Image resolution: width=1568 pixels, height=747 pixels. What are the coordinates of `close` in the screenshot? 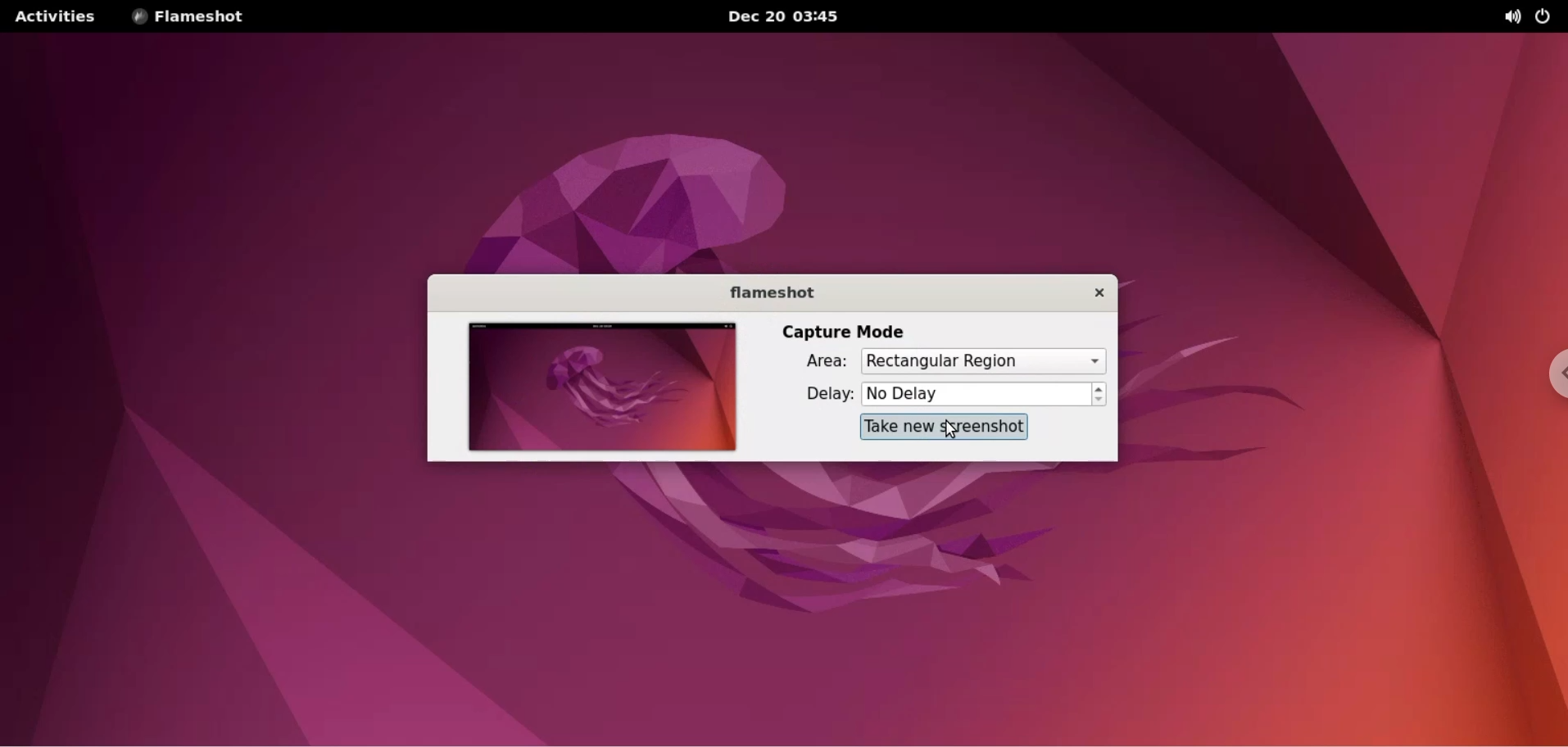 It's located at (1100, 292).